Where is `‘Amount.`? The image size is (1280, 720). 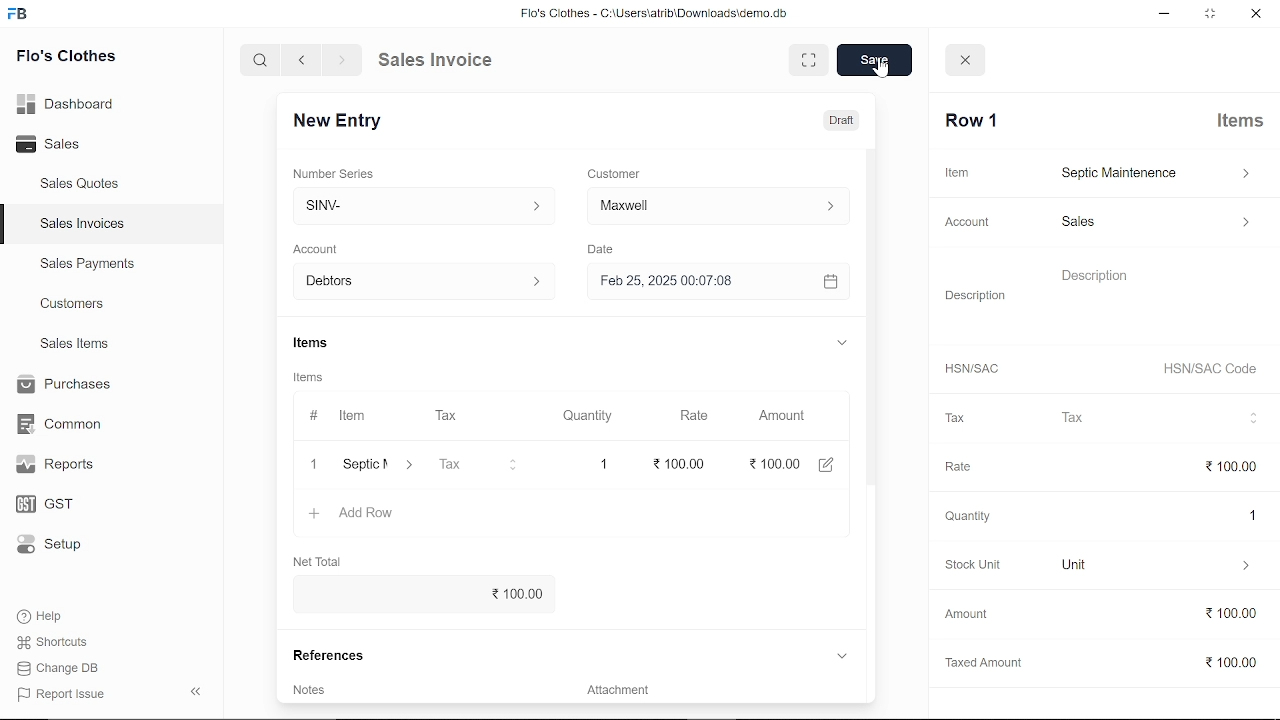
‘Amount. is located at coordinates (966, 614).